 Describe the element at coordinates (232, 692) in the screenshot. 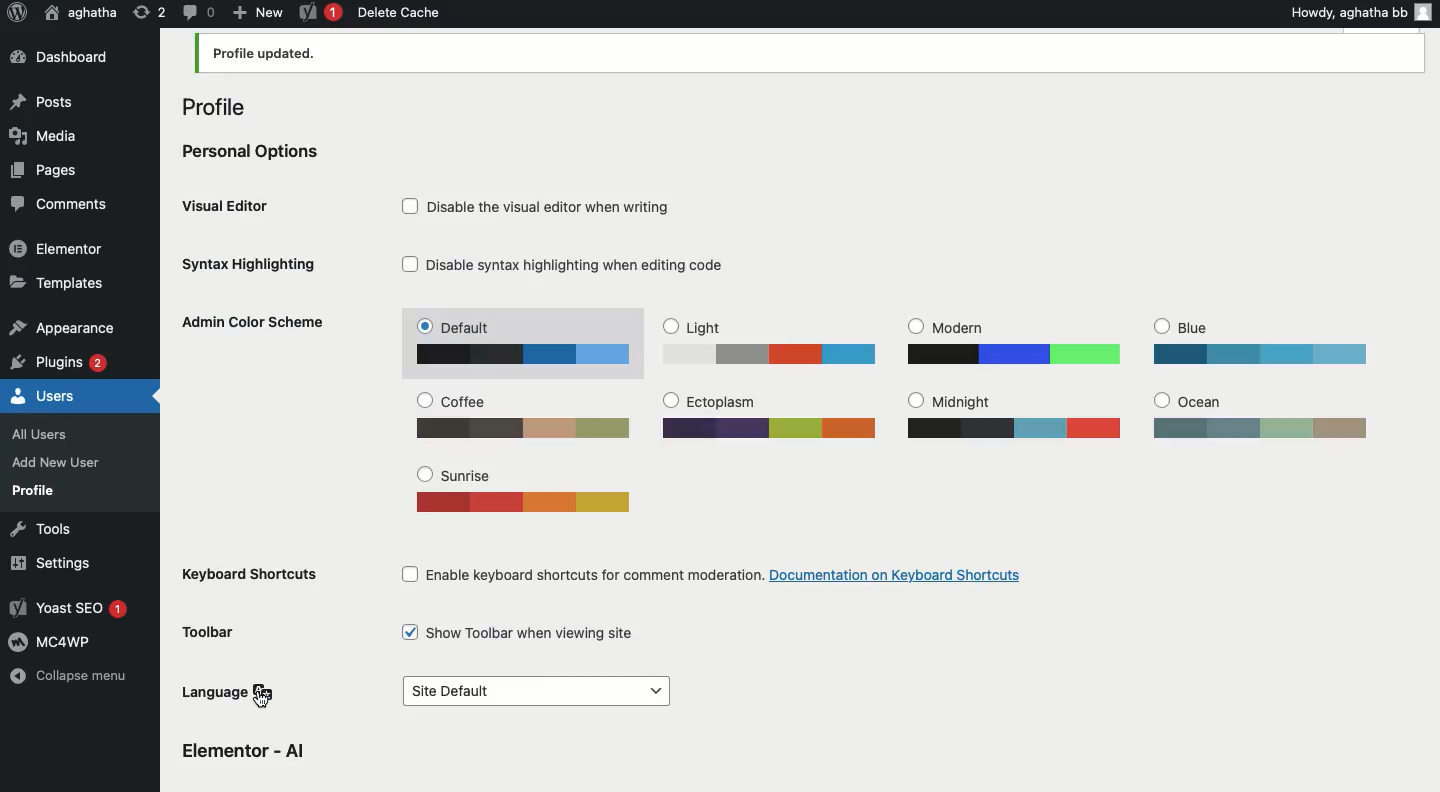

I see `Language` at that location.